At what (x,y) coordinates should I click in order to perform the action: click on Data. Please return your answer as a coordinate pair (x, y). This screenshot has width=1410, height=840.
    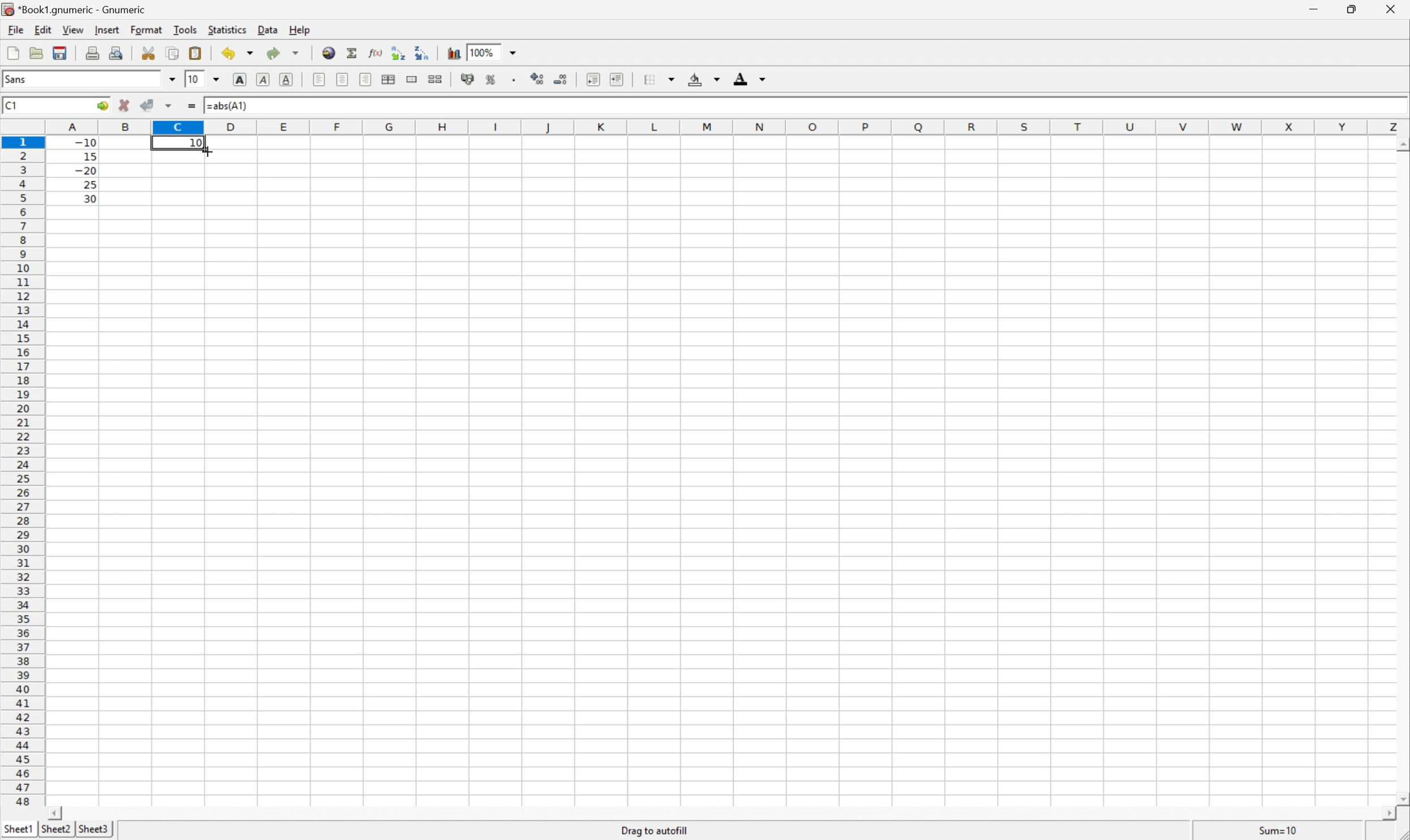
    Looking at the image, I should click on (271, 31).